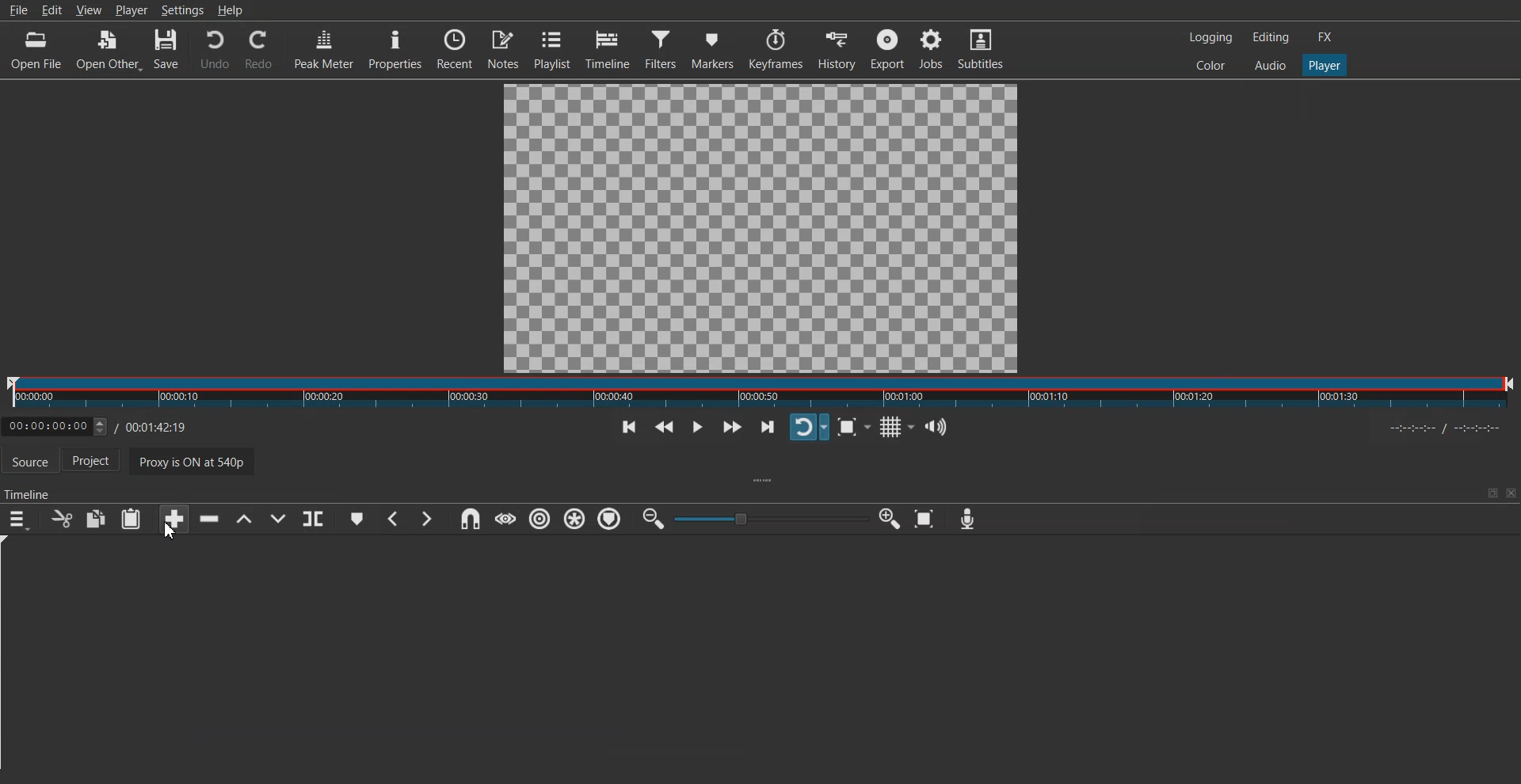 The width and height of the screenshot is (1521, 784). What do you see at coordinates (809, 427) in the screenshot?
I see `Toggle player lopping` at bounding box center [809, 427].